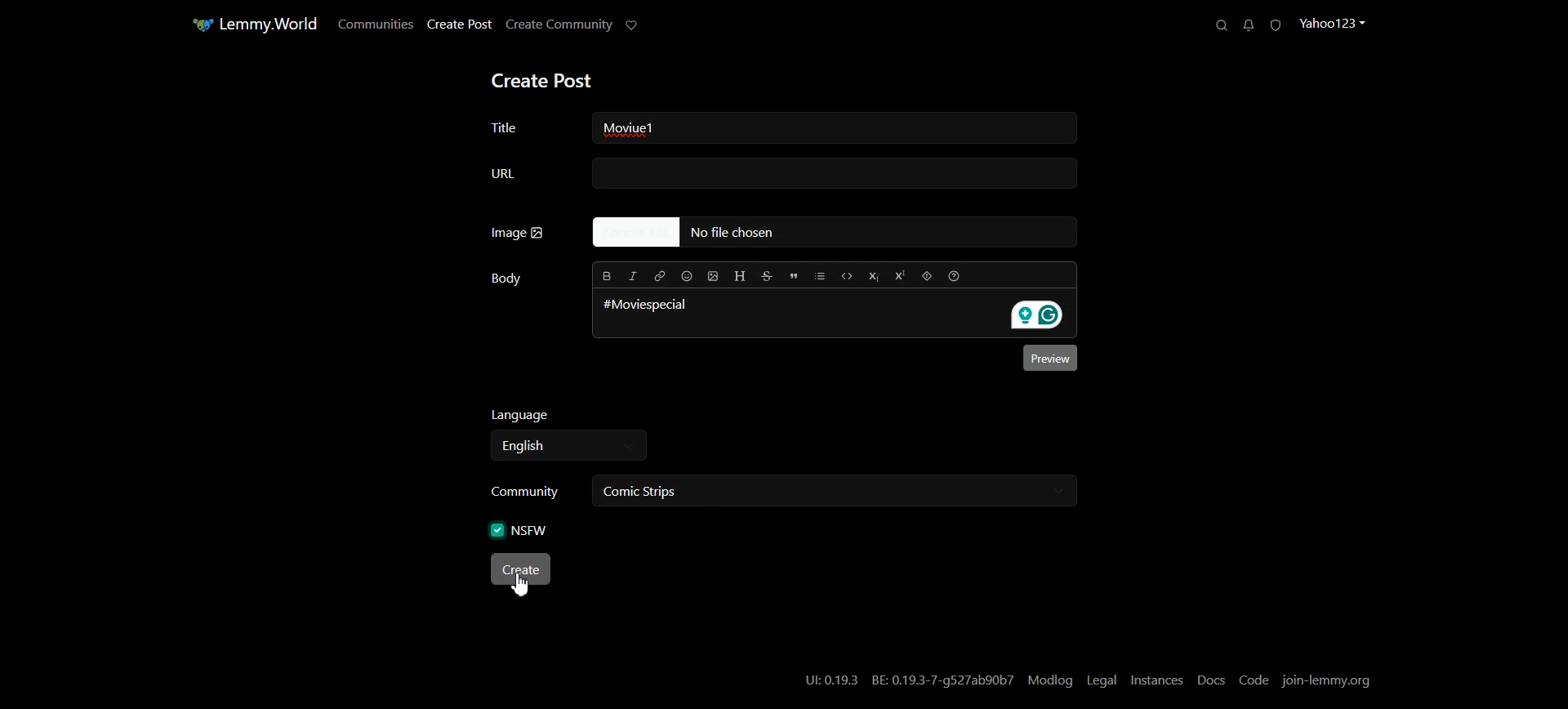 The width and height of the screenshot is (1568, 709). What do you see at coordinates (644, 305) in the screenshot?
I see `#Moviespecial` at bounding box center [644, 305].